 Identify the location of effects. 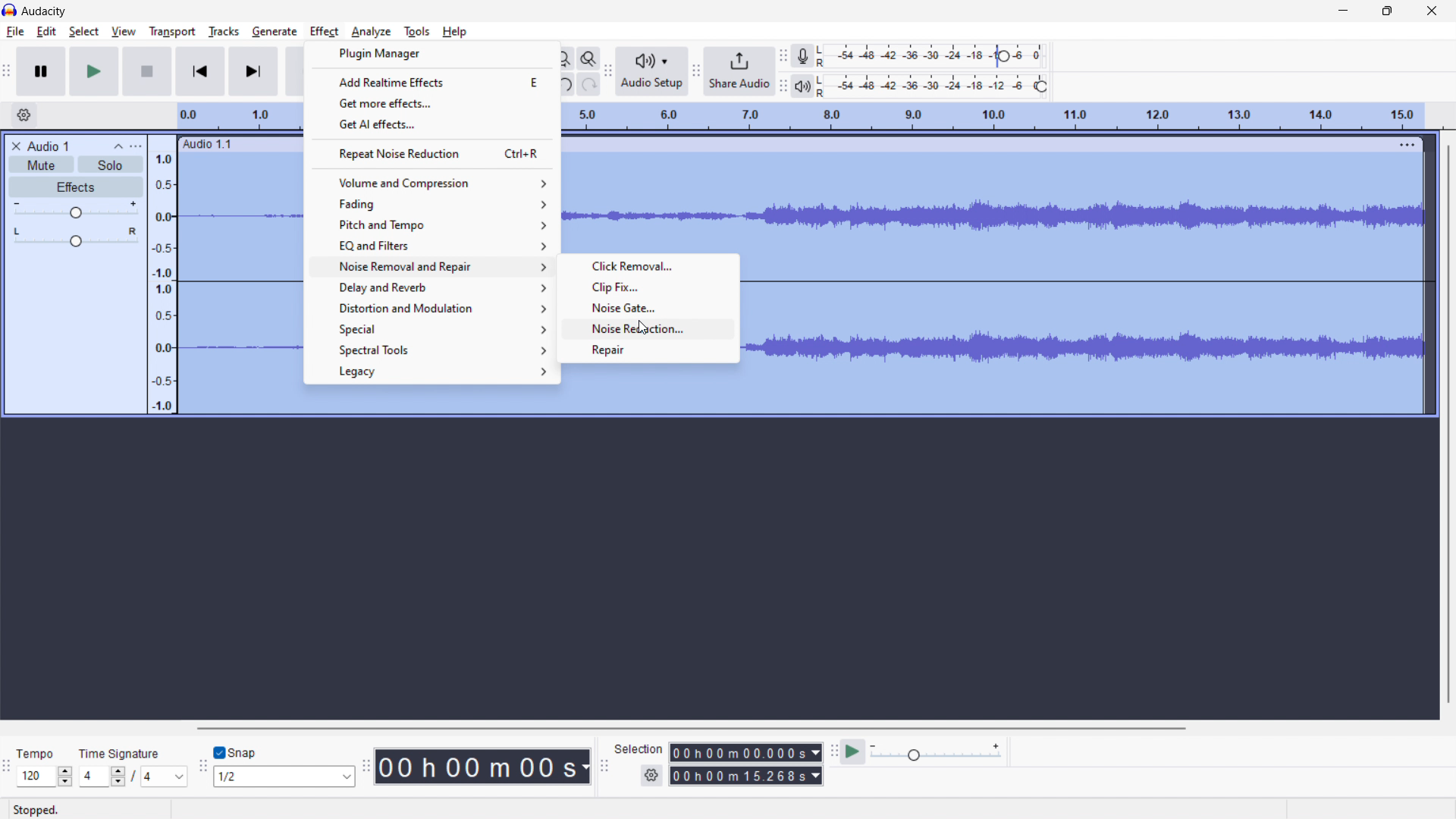
(77, 187).